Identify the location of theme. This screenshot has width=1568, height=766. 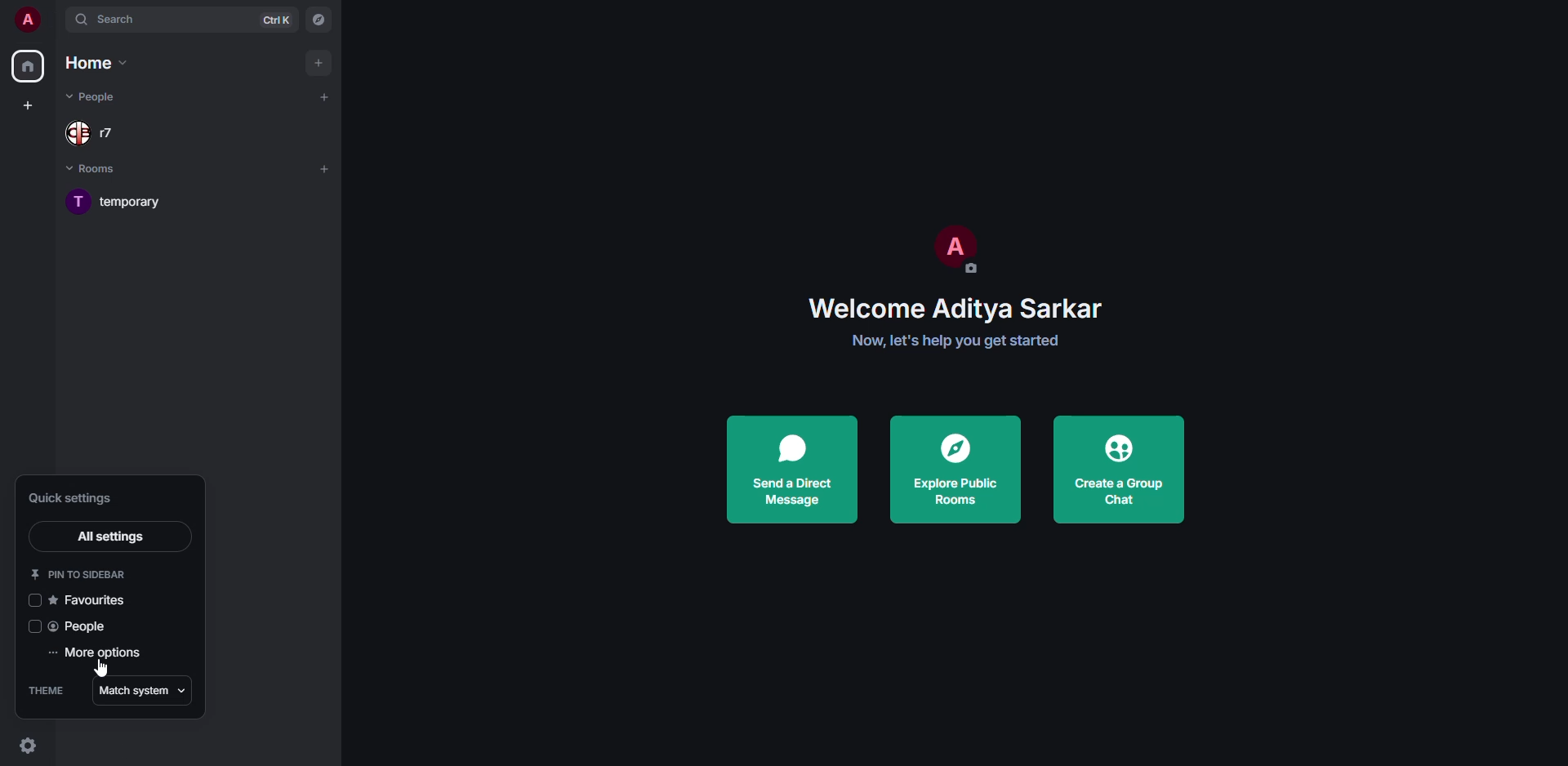
(46, 690).